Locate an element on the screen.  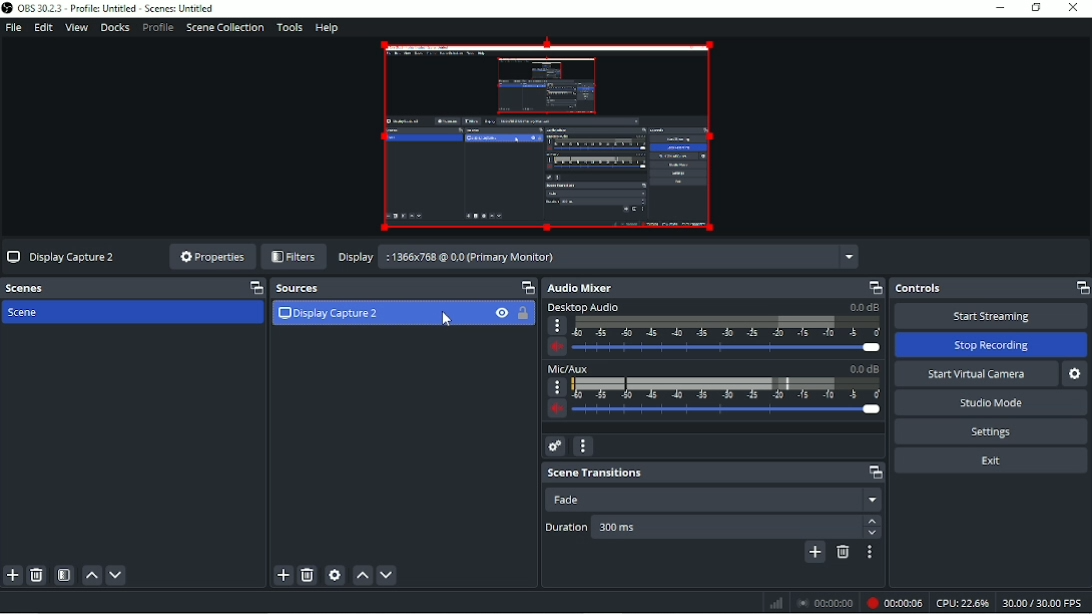
Audio mixer is located at coordinates (712, 288).